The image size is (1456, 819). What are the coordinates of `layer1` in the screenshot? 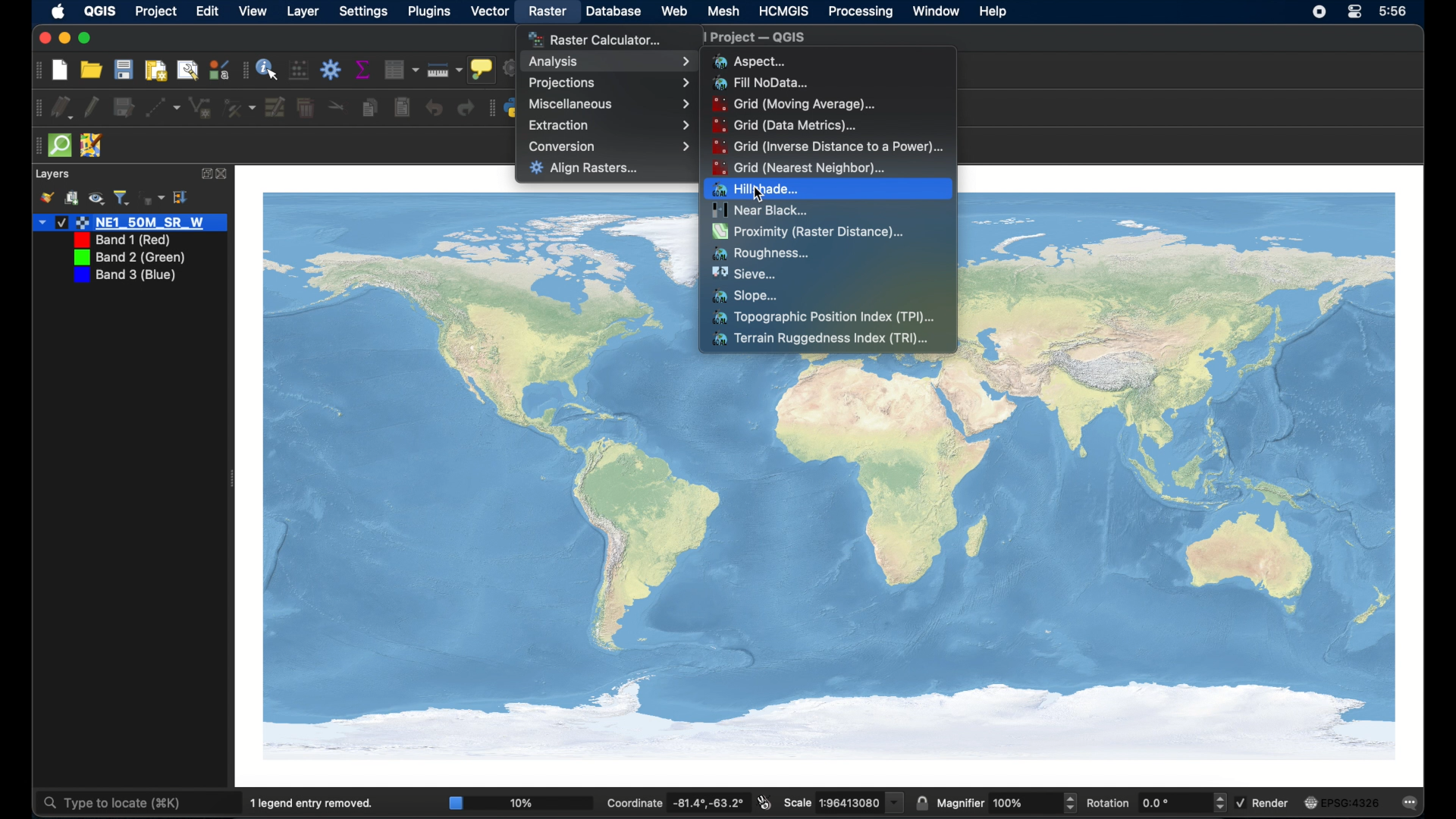 It's located at (130, 223).